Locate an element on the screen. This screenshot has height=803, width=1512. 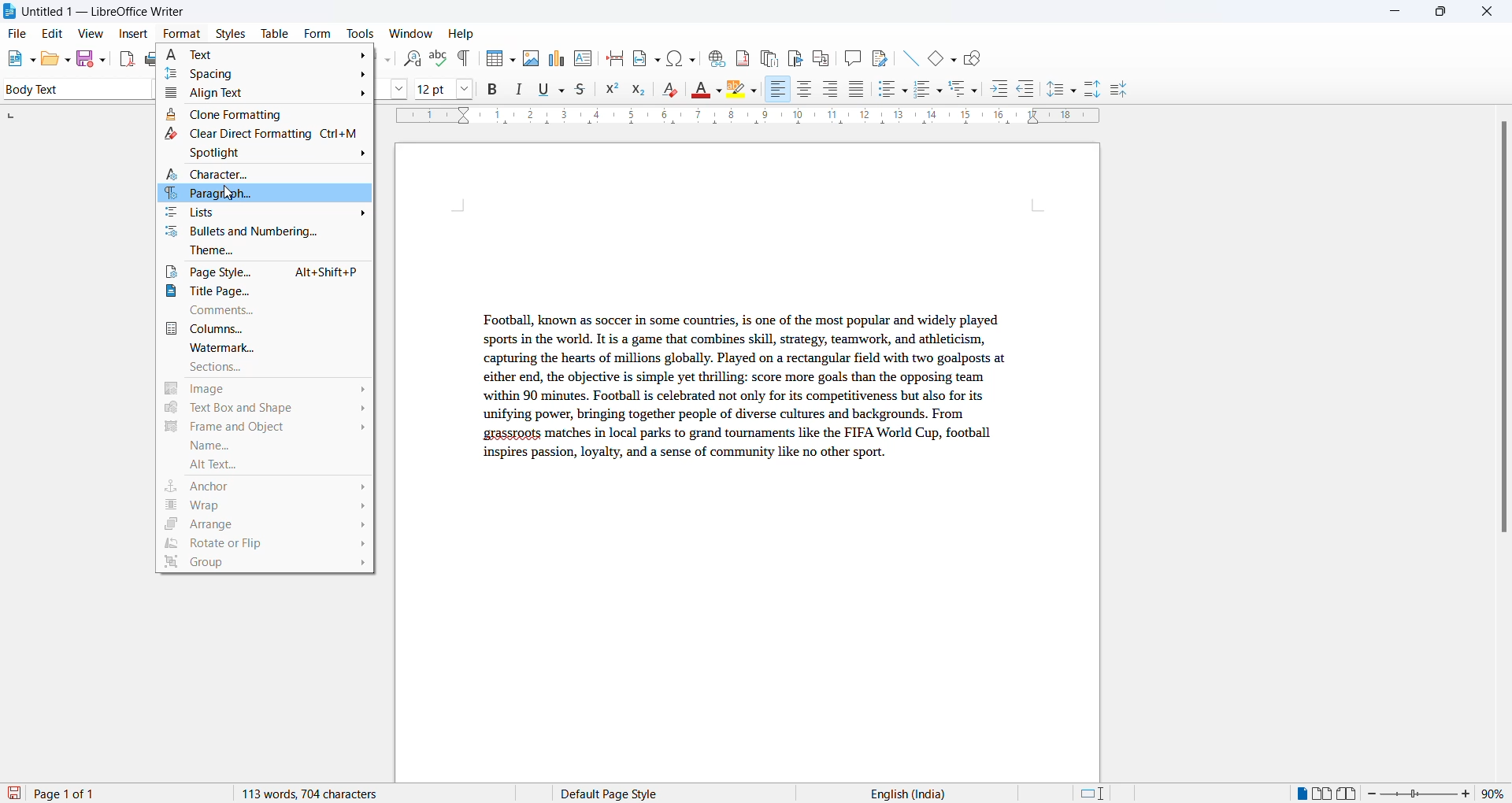
basic shapes is located at coordinates (938, 56).